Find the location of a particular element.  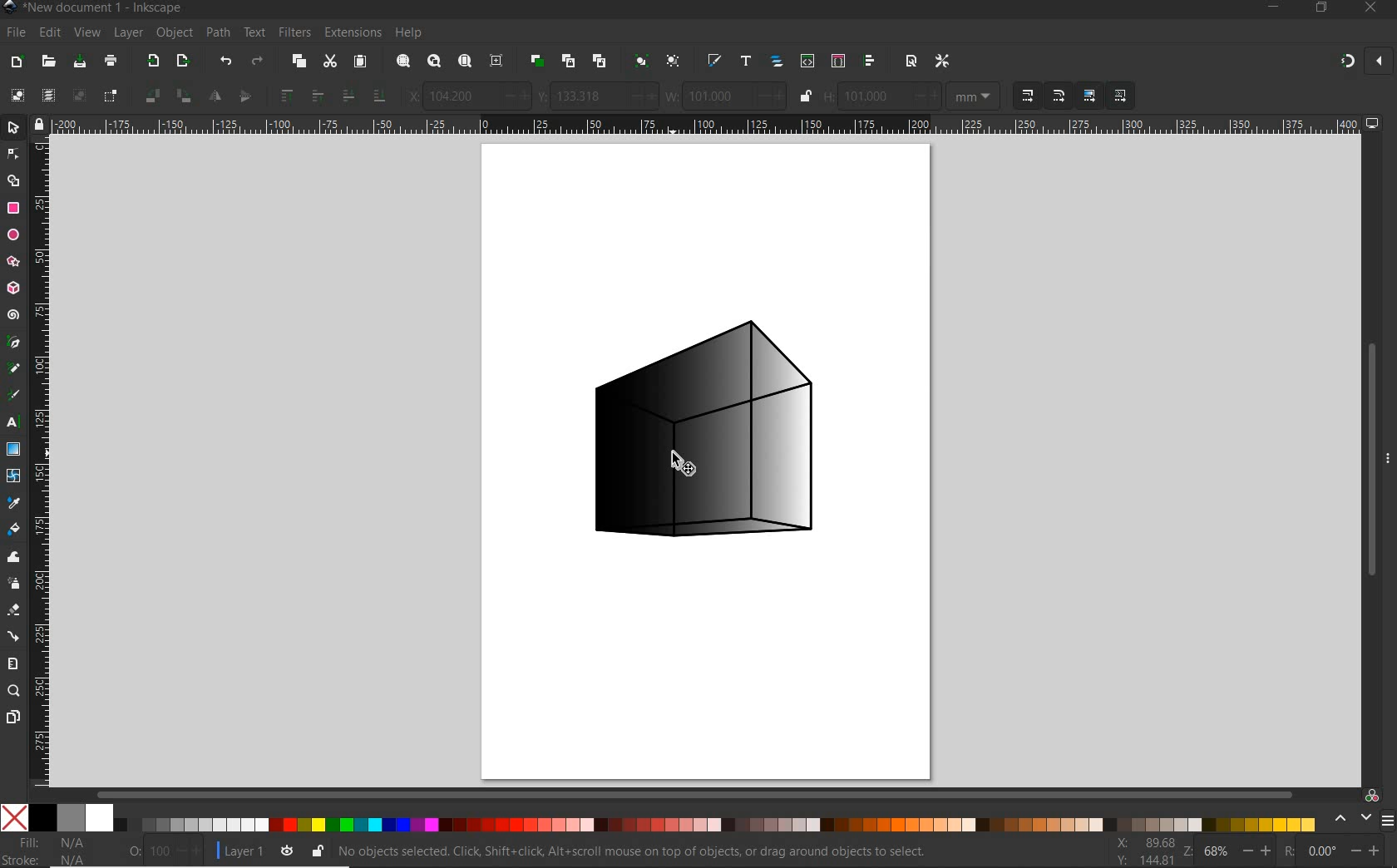

3D BOX TOOL is located at coordinates (12, 287).